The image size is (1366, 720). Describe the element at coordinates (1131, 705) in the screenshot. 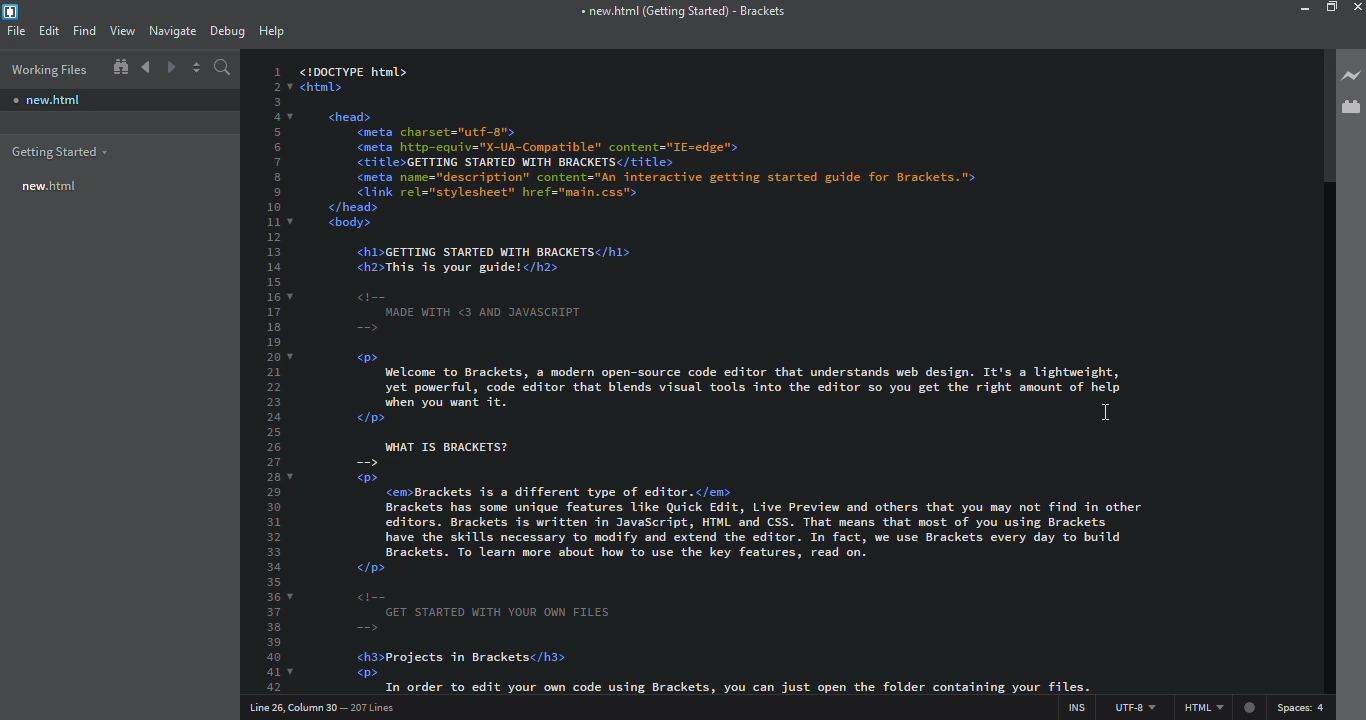

I see `utf 8` at that location.